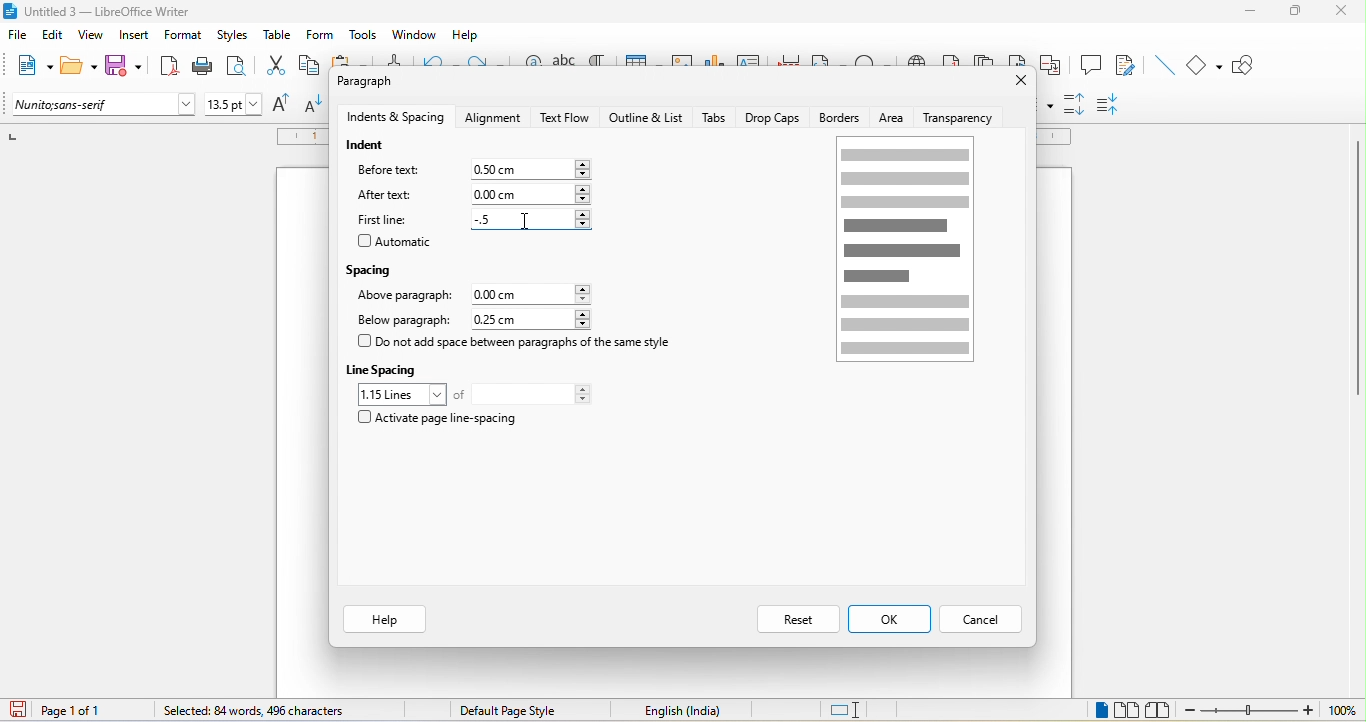 This screenshot has height=722, width=1366. I want to click on default page style, so click(511, 711).